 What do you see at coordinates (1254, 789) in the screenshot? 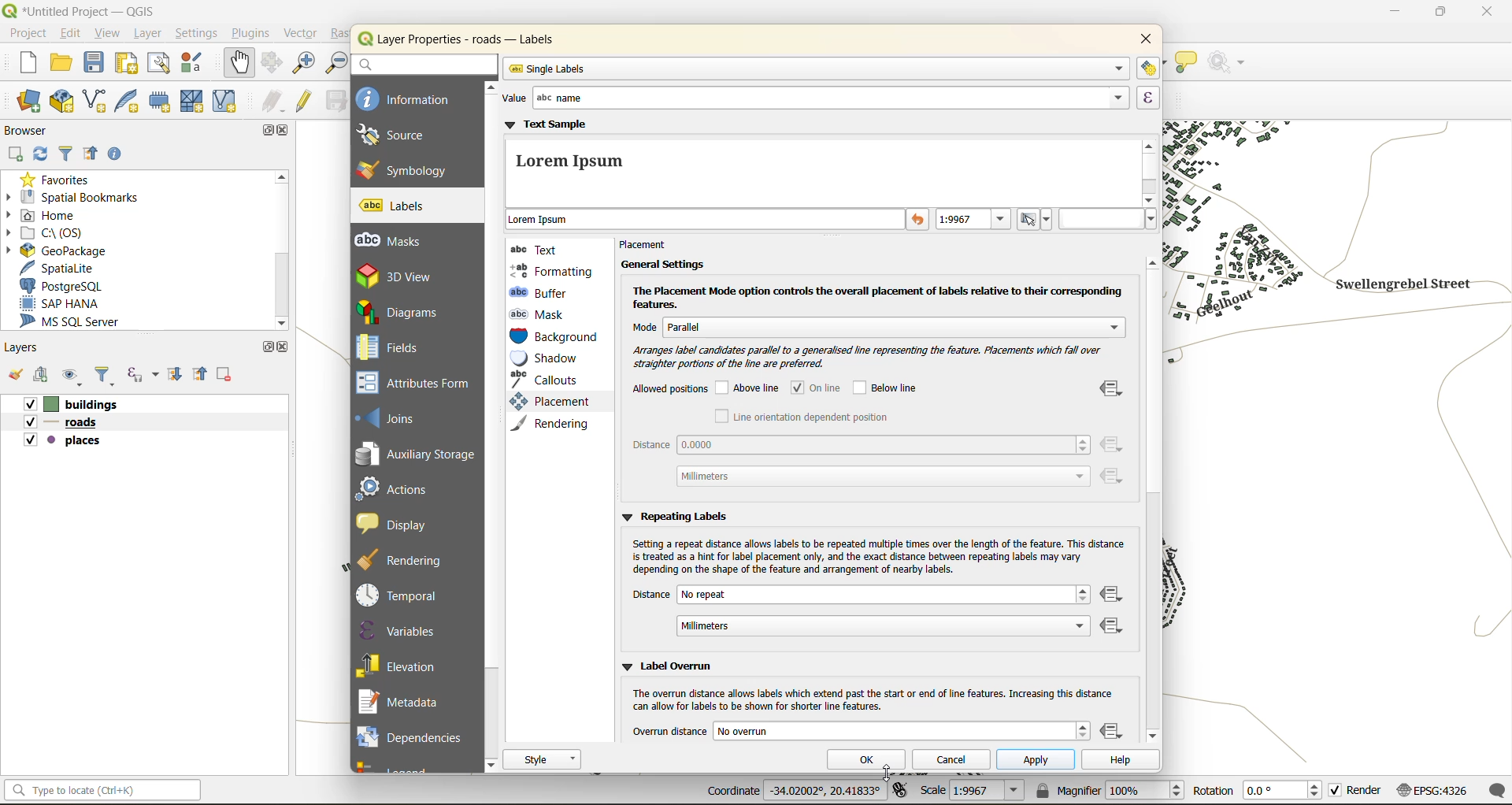
I see `rotation` at bounding box center [1254, 789].